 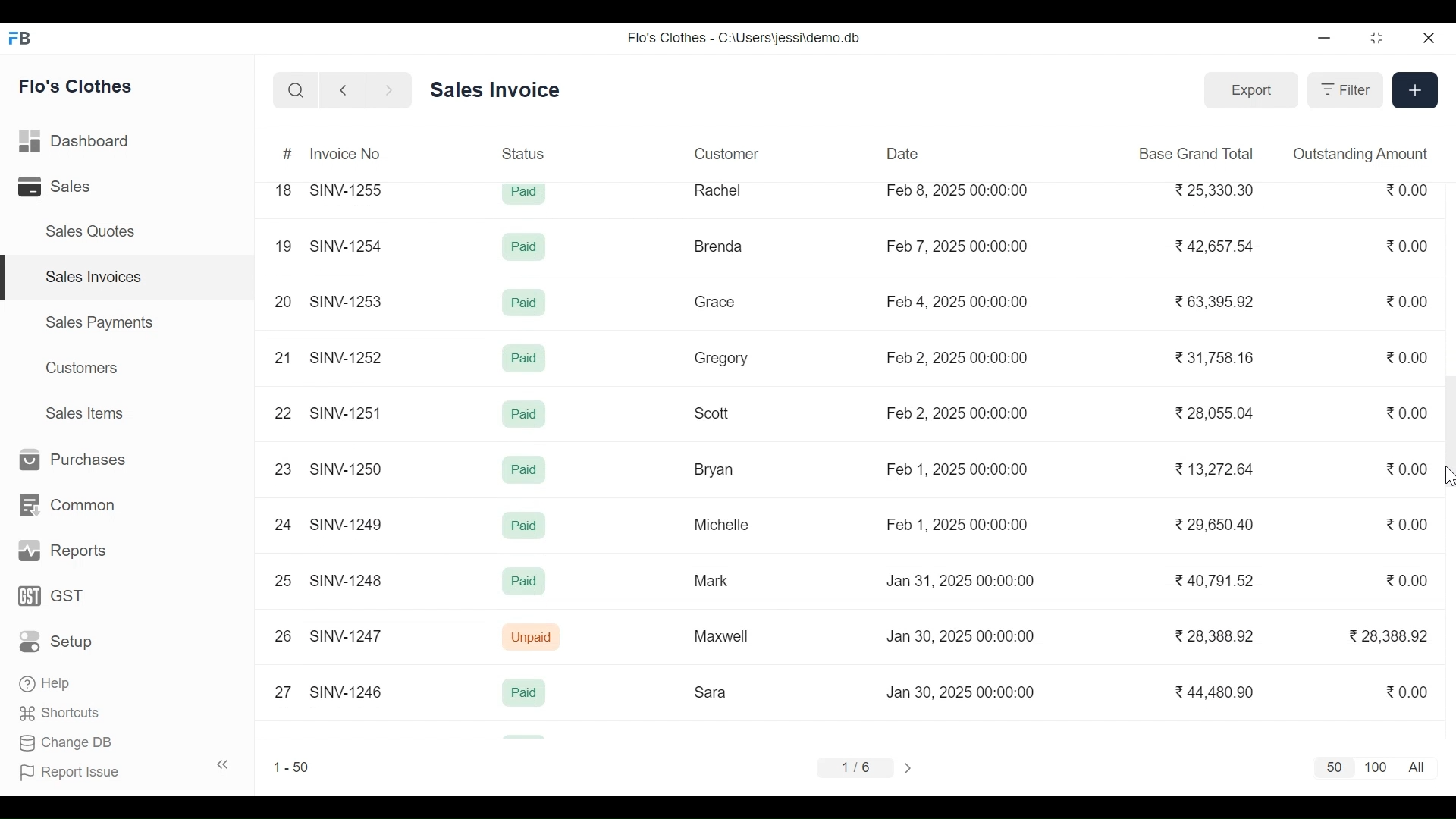 I want to click on SINV-1248, so click(x=347, y=579).